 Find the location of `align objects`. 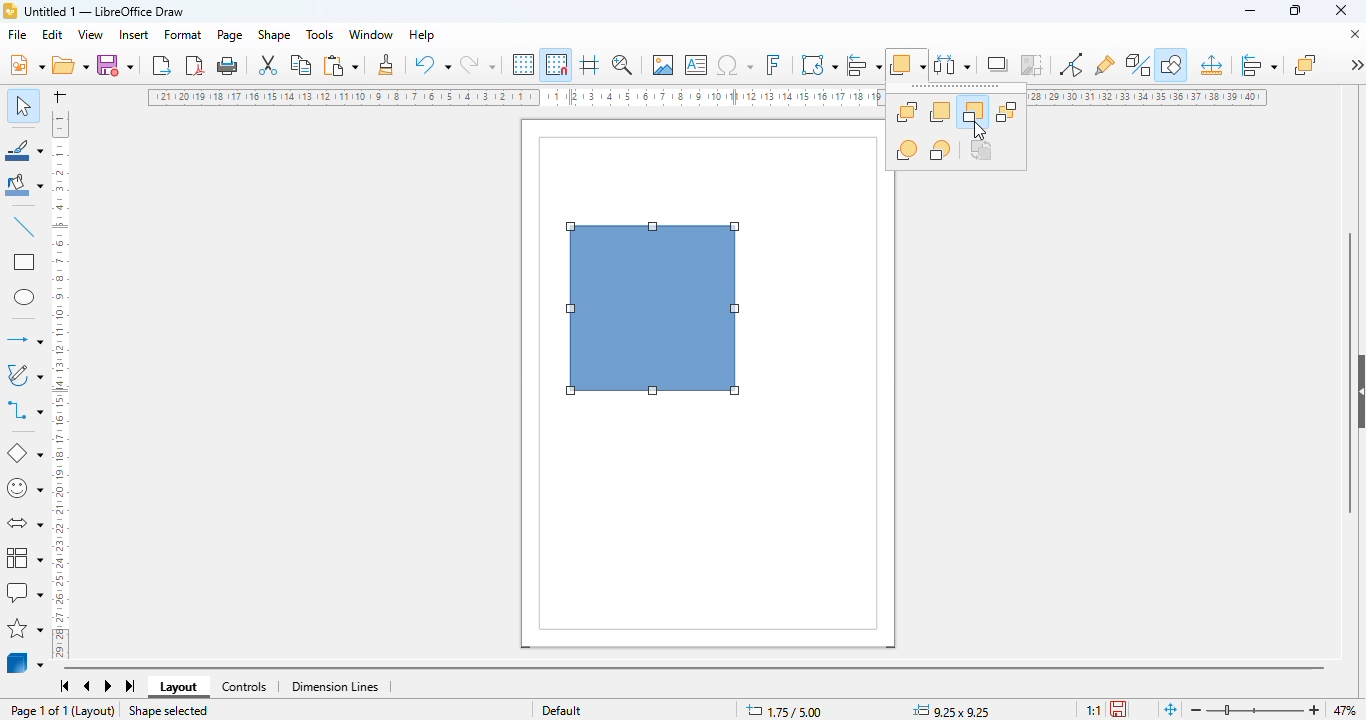

align objects is located at coordinates (1259, 65).